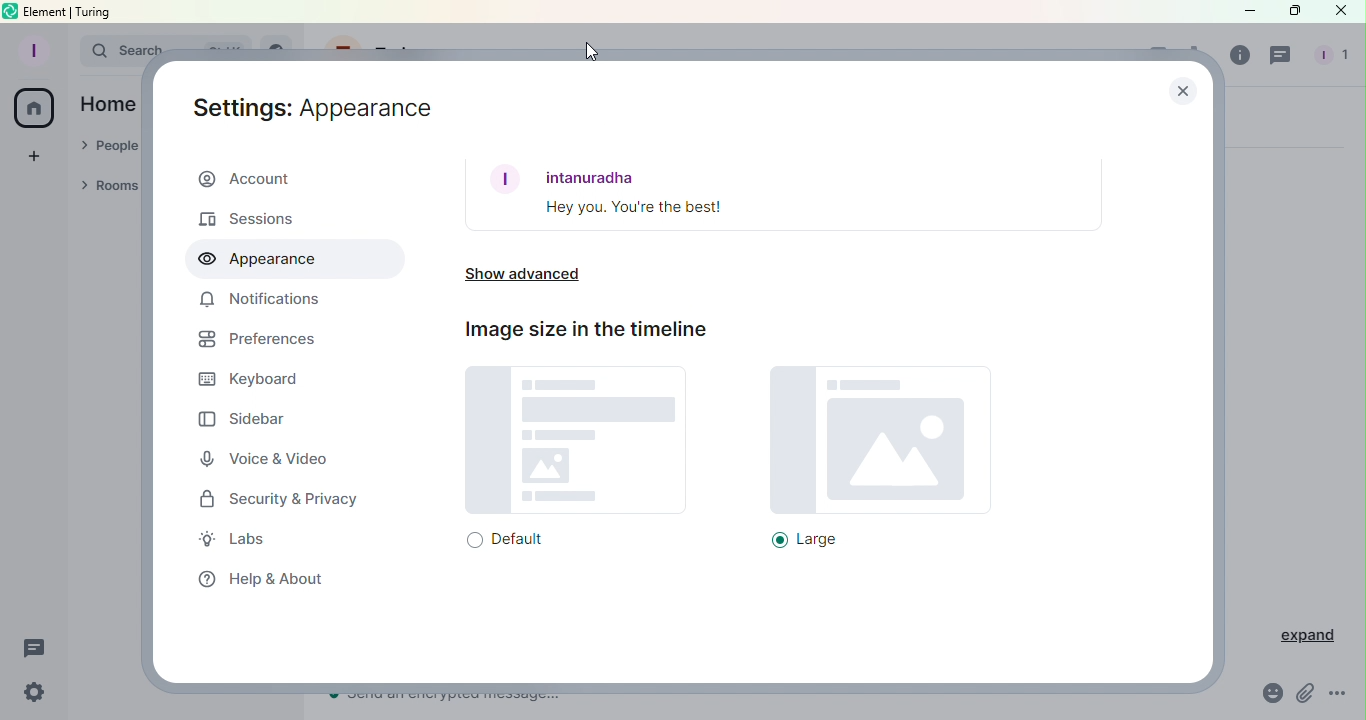  What do you see at coordinates (590, 51) in the screenshot?
I see `Cursor` at bounding box center [590, 51].